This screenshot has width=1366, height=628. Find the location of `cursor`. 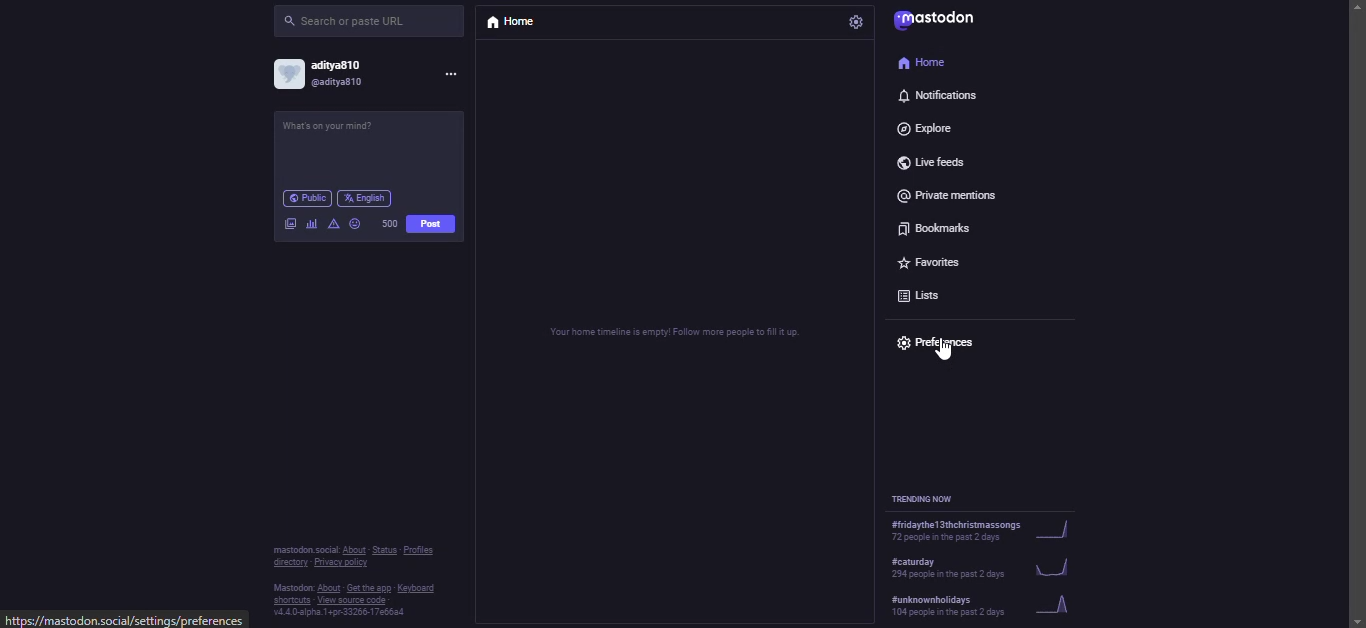

cursor is located at coordinates (941, 353).